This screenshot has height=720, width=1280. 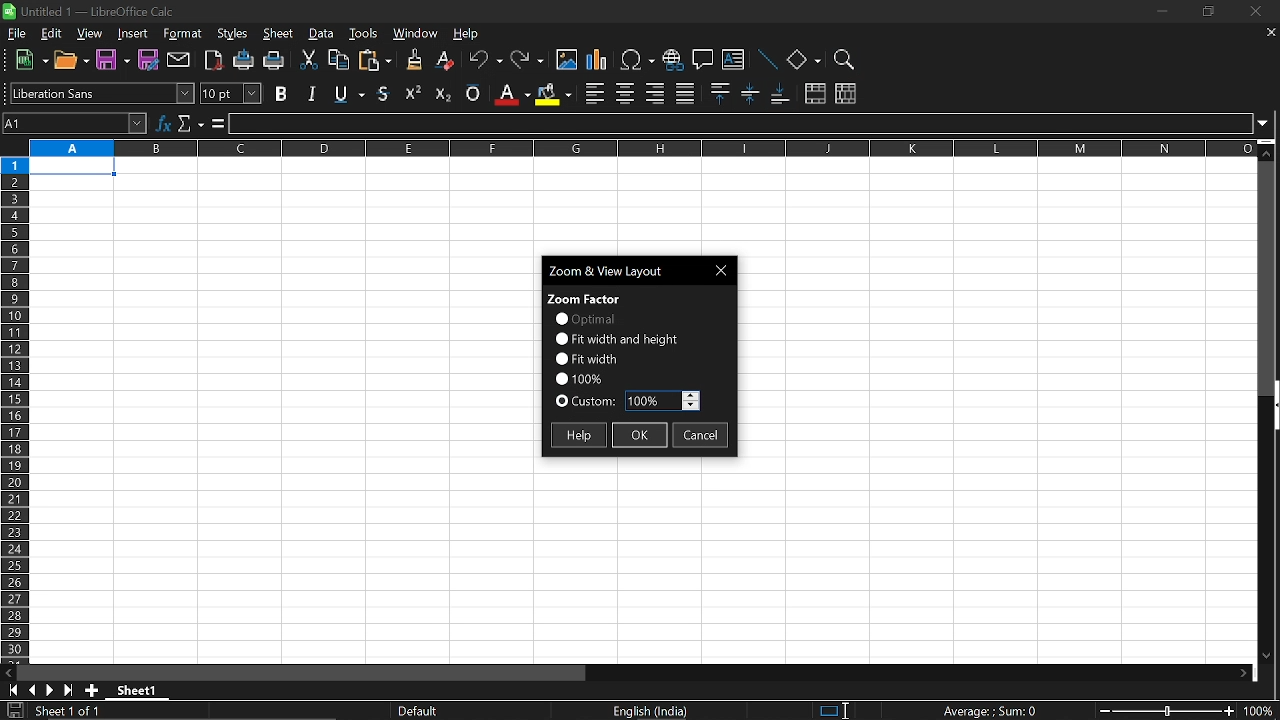 What do you see at coordinates (1268, 122) in the screenshot?
I see `expand formula bar` at bounding box center [1268, 122].